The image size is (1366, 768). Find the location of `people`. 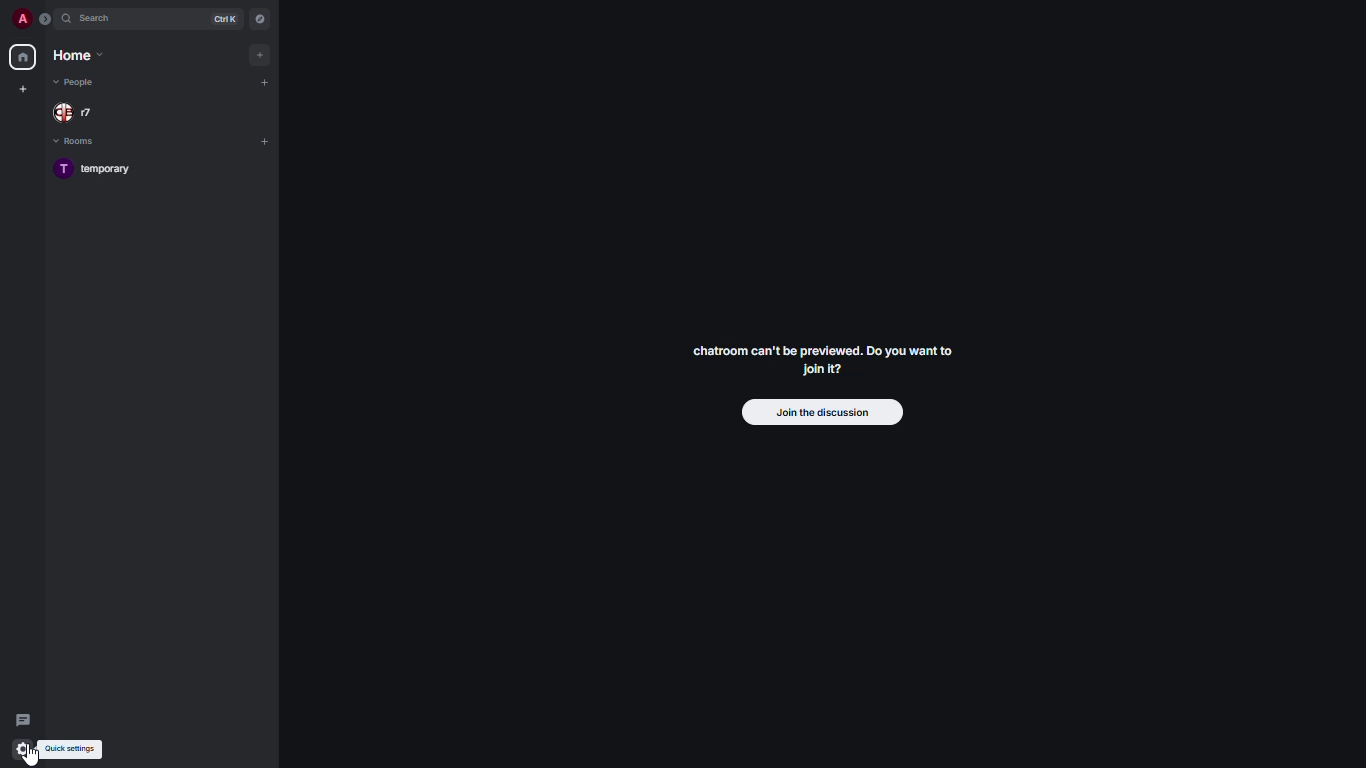

people is located at coordinates (78, 113).